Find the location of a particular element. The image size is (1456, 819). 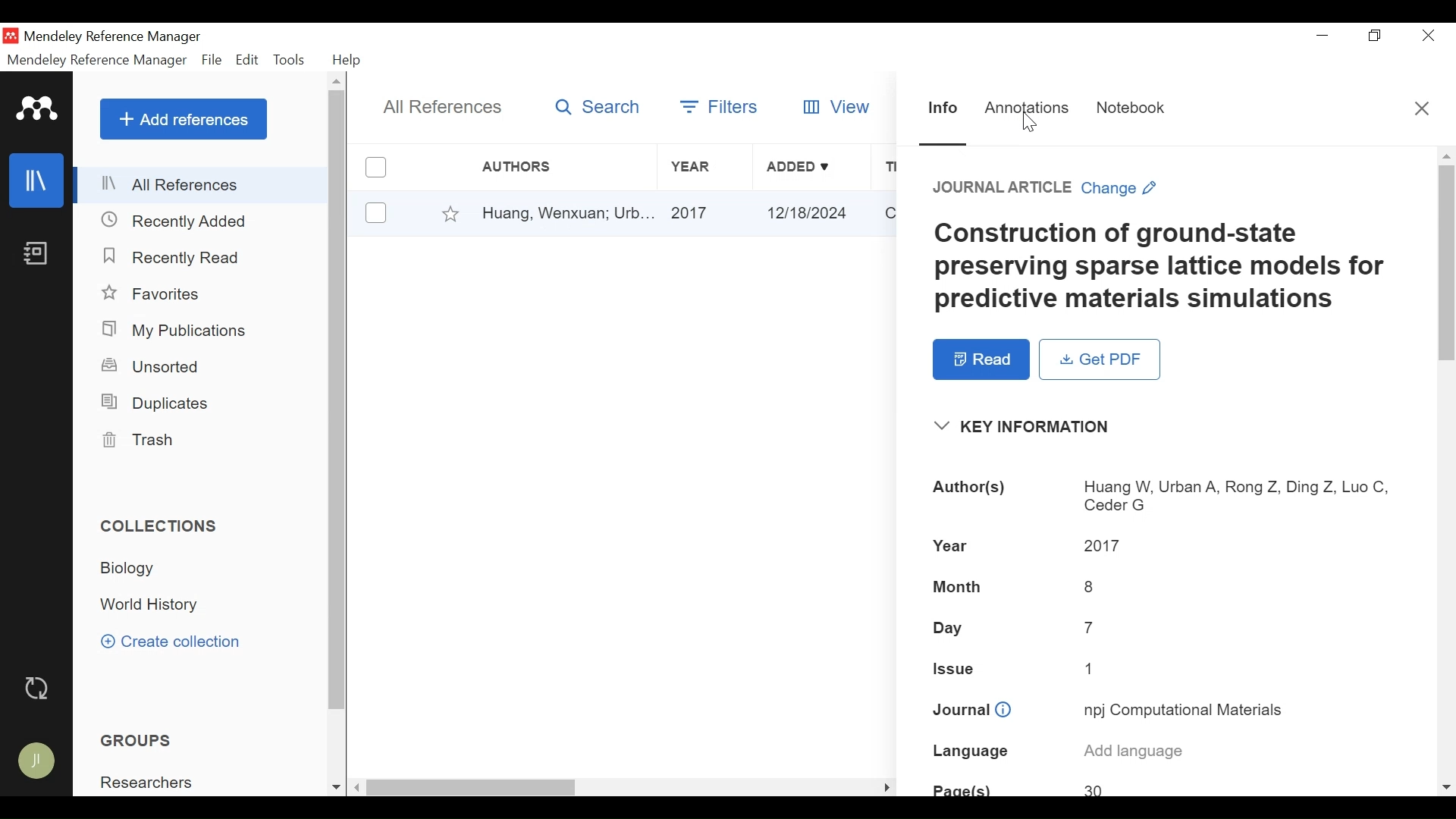

Language is located at coordinates (971, 752).